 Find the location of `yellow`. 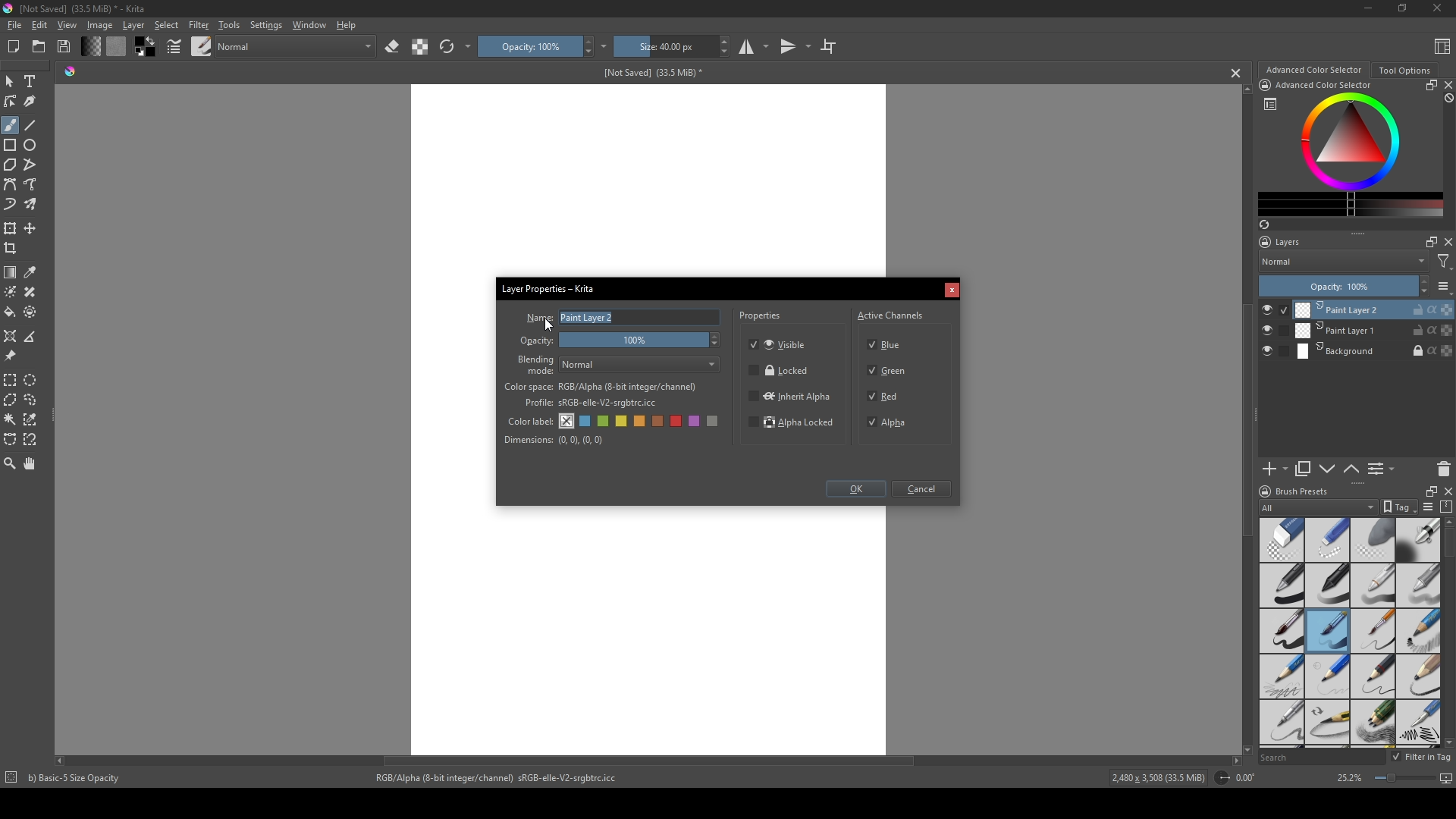

yellow is located at coordinates (641, 422).